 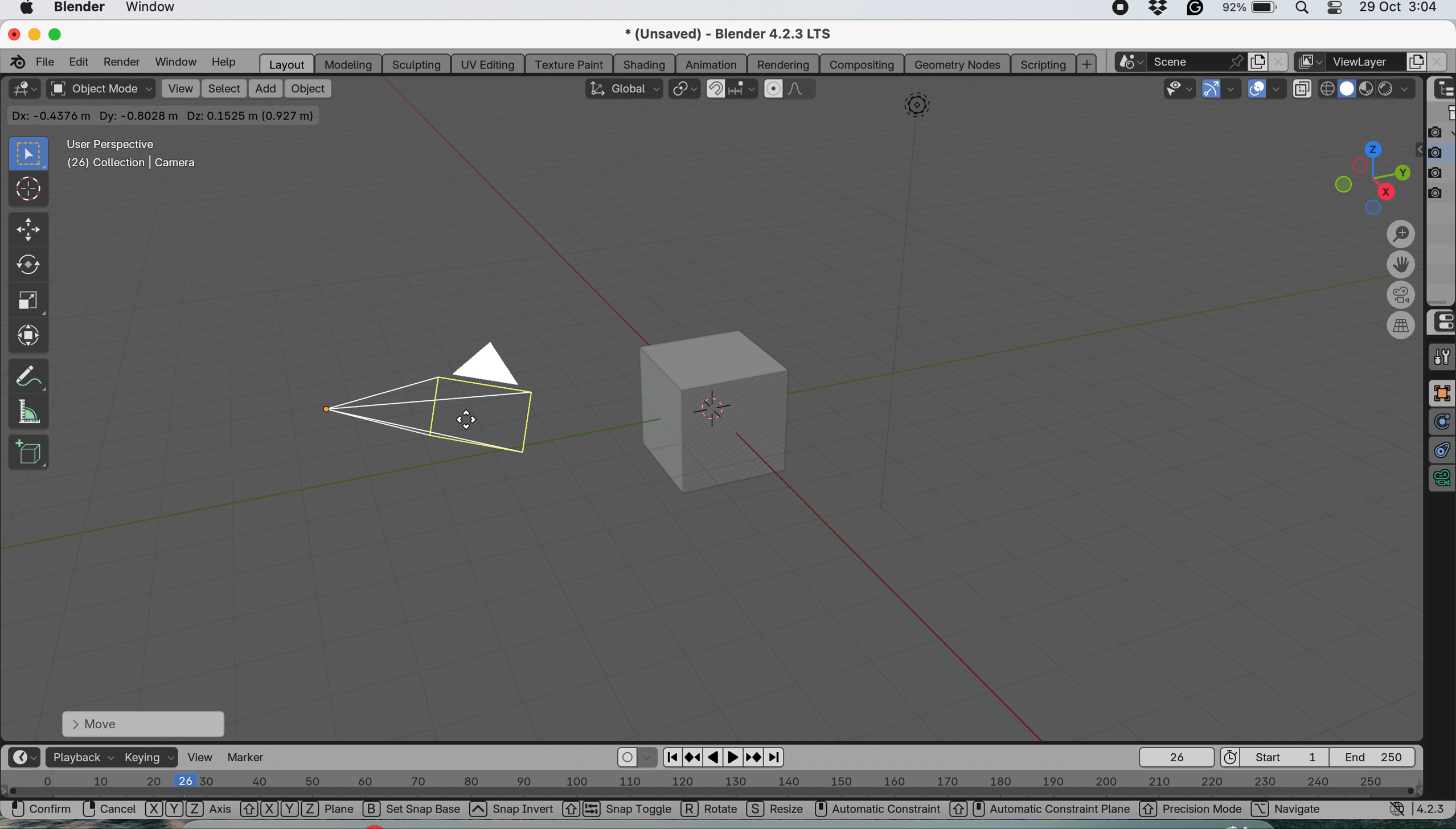 I want to click on *(Unsaved) - Blend 4.2.3 LTS, so click(x=741, y=34).